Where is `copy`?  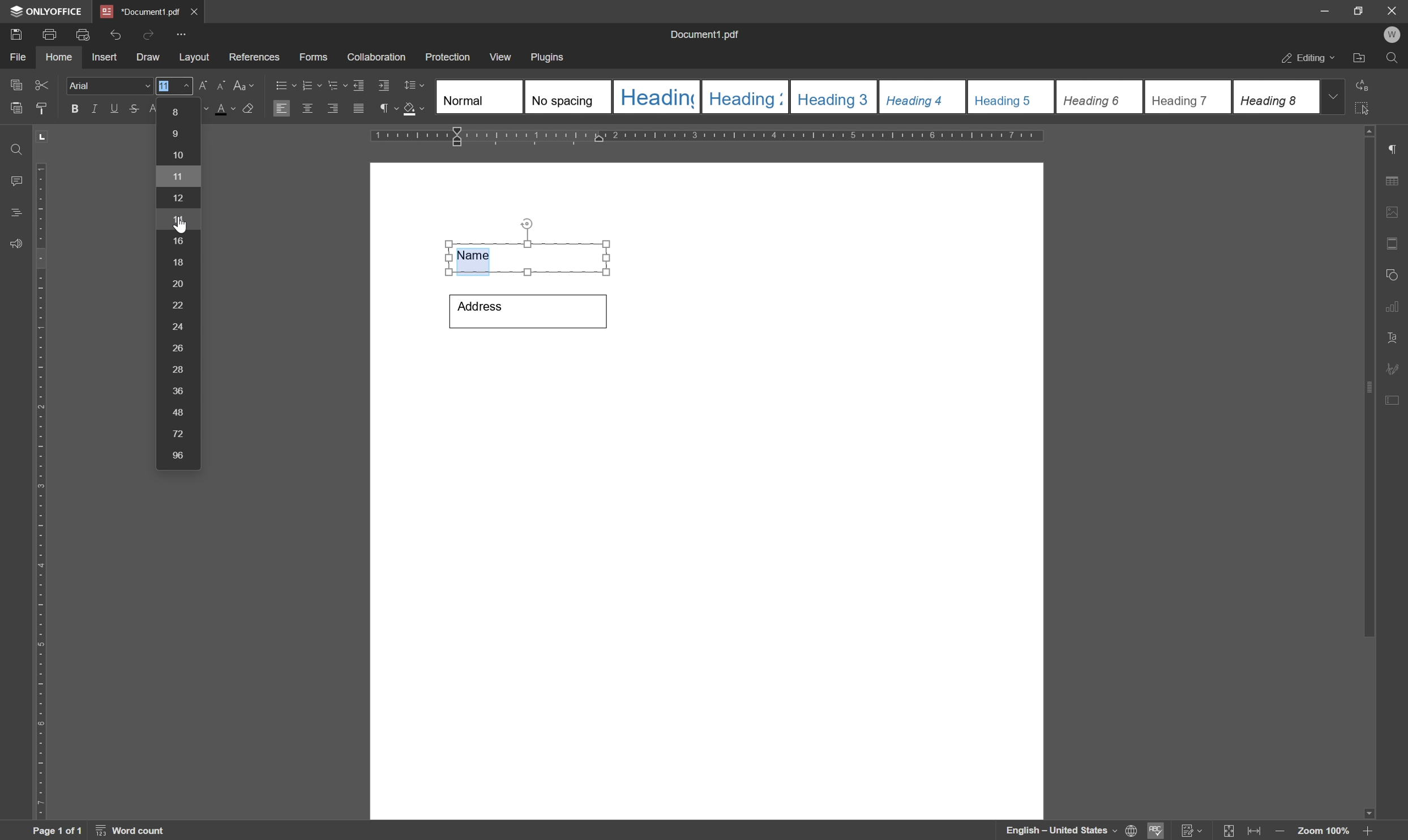 copy is located at coordinates (15, 83).